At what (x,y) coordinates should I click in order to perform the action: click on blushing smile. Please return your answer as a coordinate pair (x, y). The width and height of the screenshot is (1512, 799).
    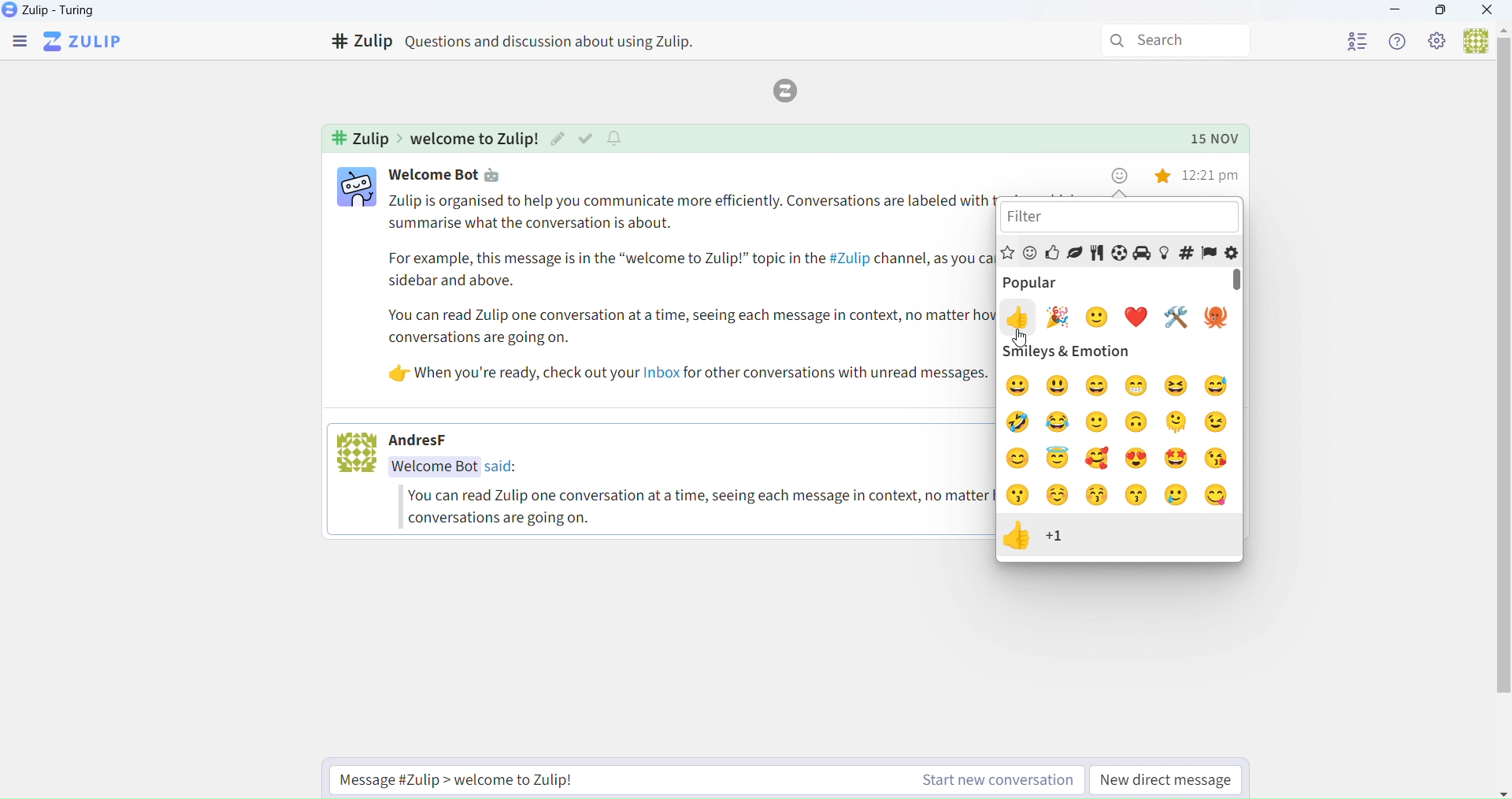
    Looking at the image, I should click on (1022, 460).